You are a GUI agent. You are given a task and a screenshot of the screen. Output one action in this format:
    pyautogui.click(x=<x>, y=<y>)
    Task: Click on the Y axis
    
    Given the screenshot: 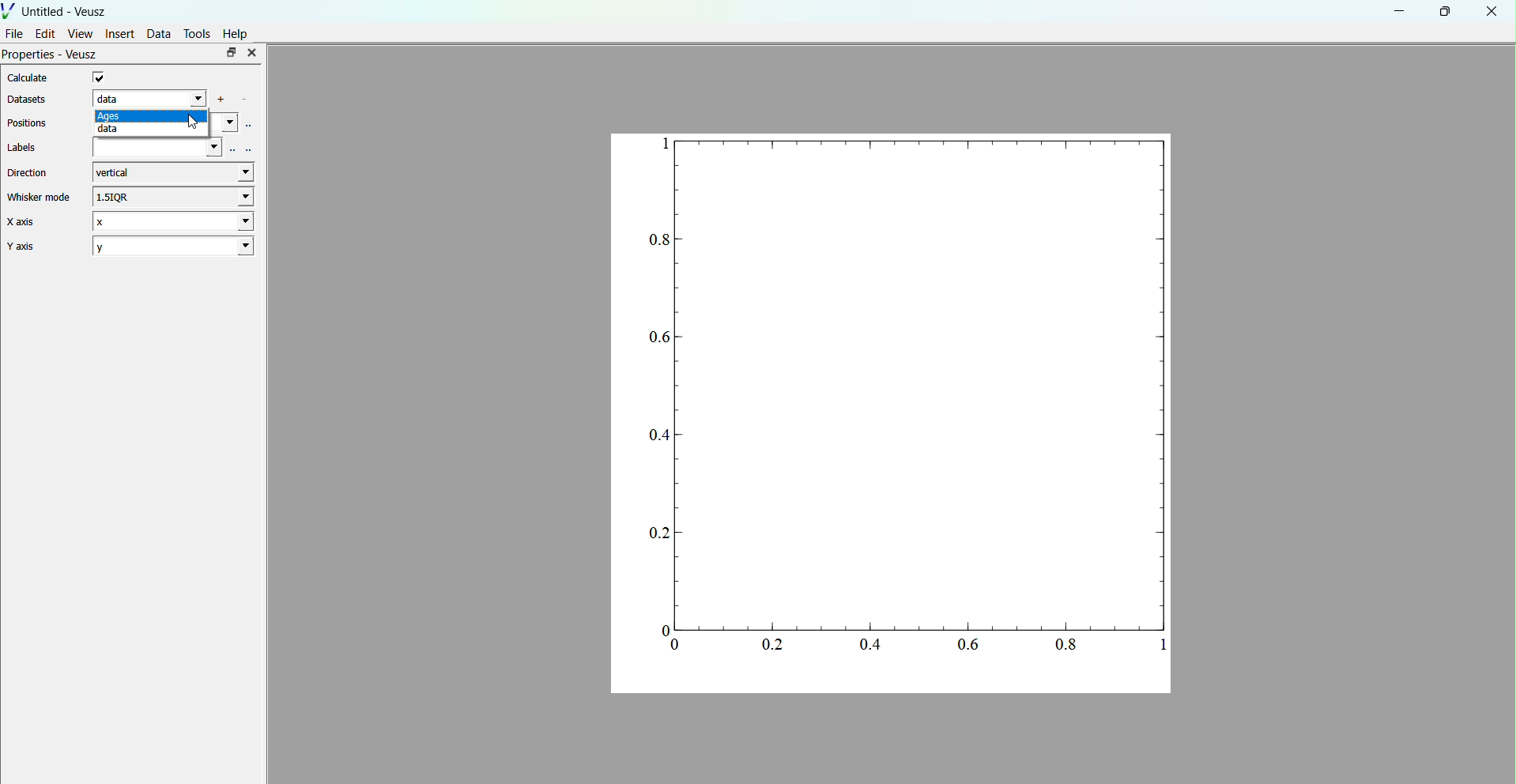 What is the action you would take?
    pyautogui.click(x=36, y=247)
    